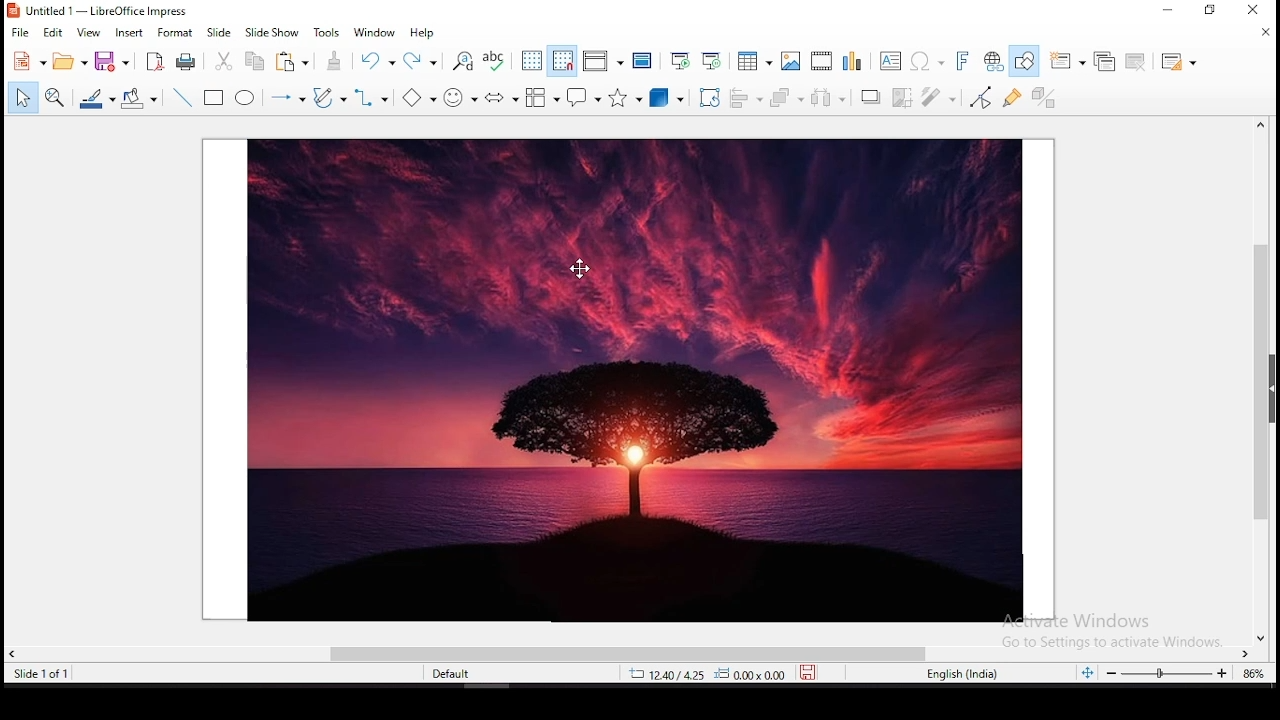 This screenshot has height=720, width=1280. Describe the element at coordinates (425, 34) in the screenshot. I see `help` at that location.